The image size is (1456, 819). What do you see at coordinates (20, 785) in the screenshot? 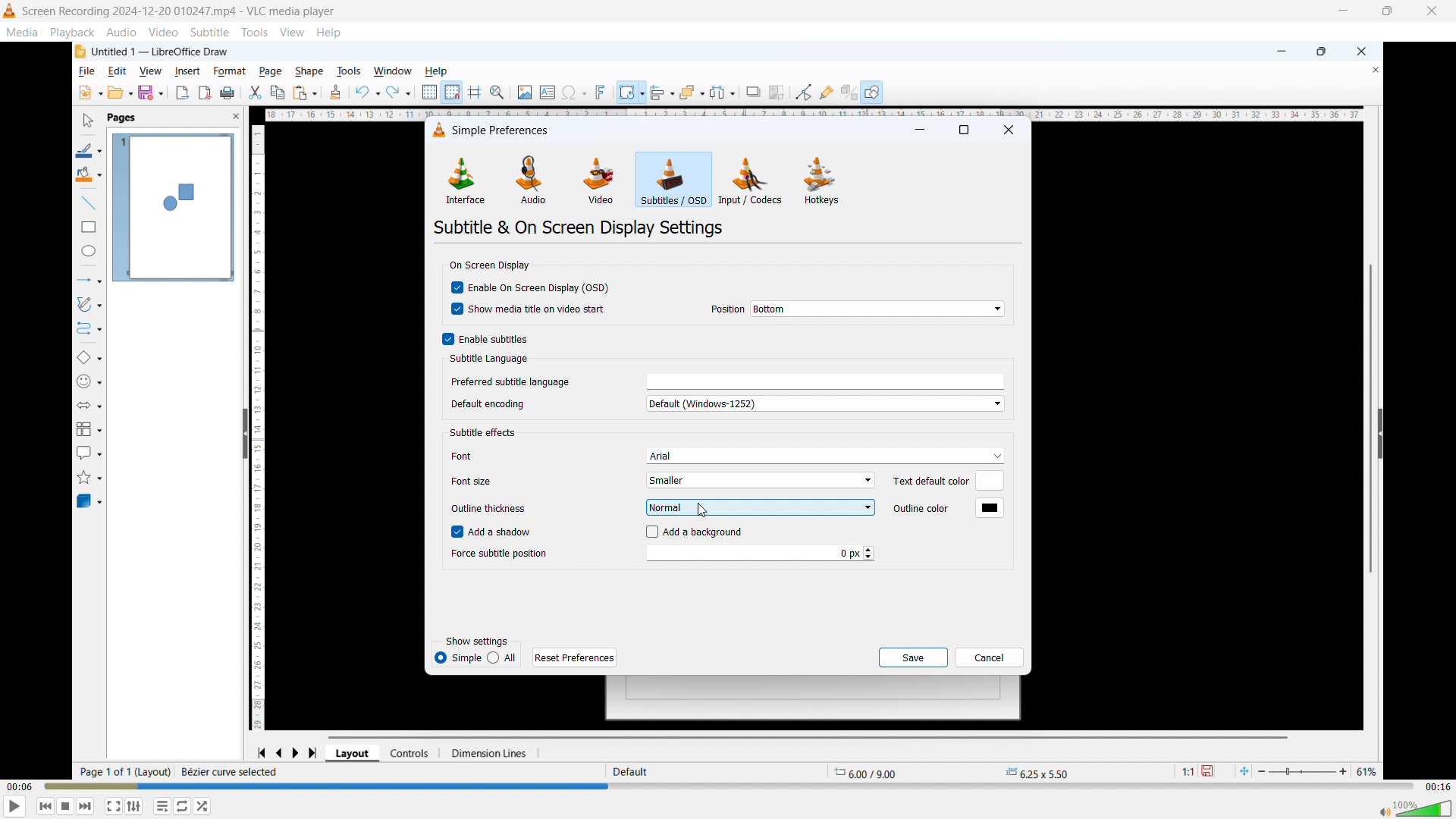
I see `Time elapsed ` at bounding box center [20, 785].